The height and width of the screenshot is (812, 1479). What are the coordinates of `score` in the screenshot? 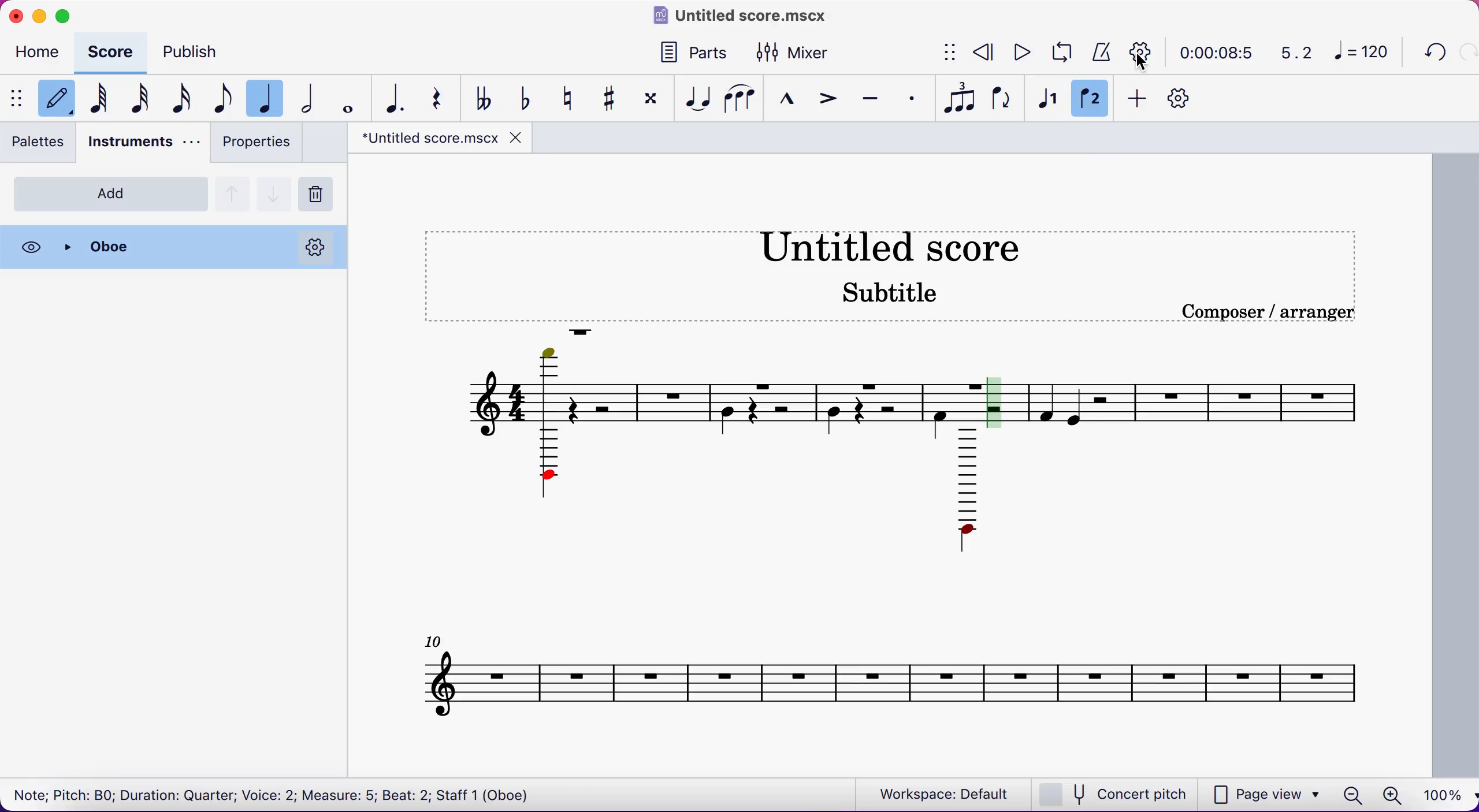 It's located at (114, 52).